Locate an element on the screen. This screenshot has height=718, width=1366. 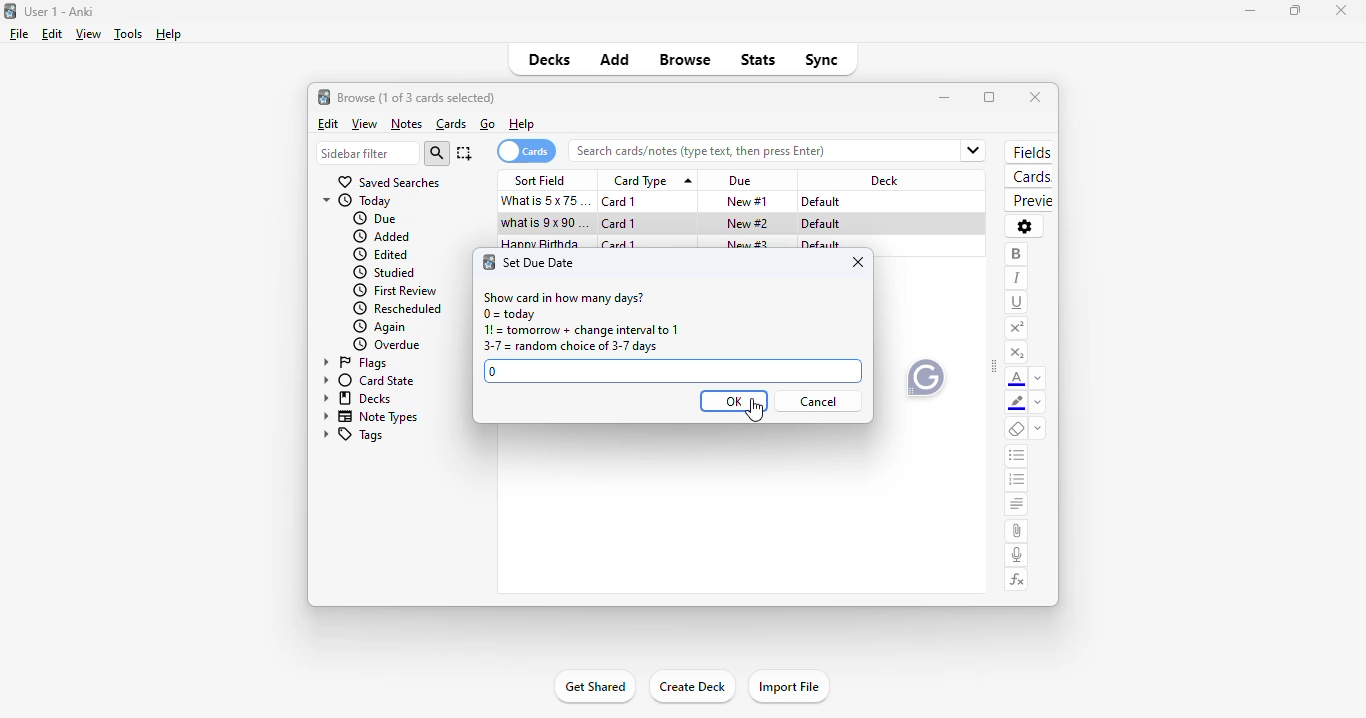
cursor is located at coordinates (756, 411).